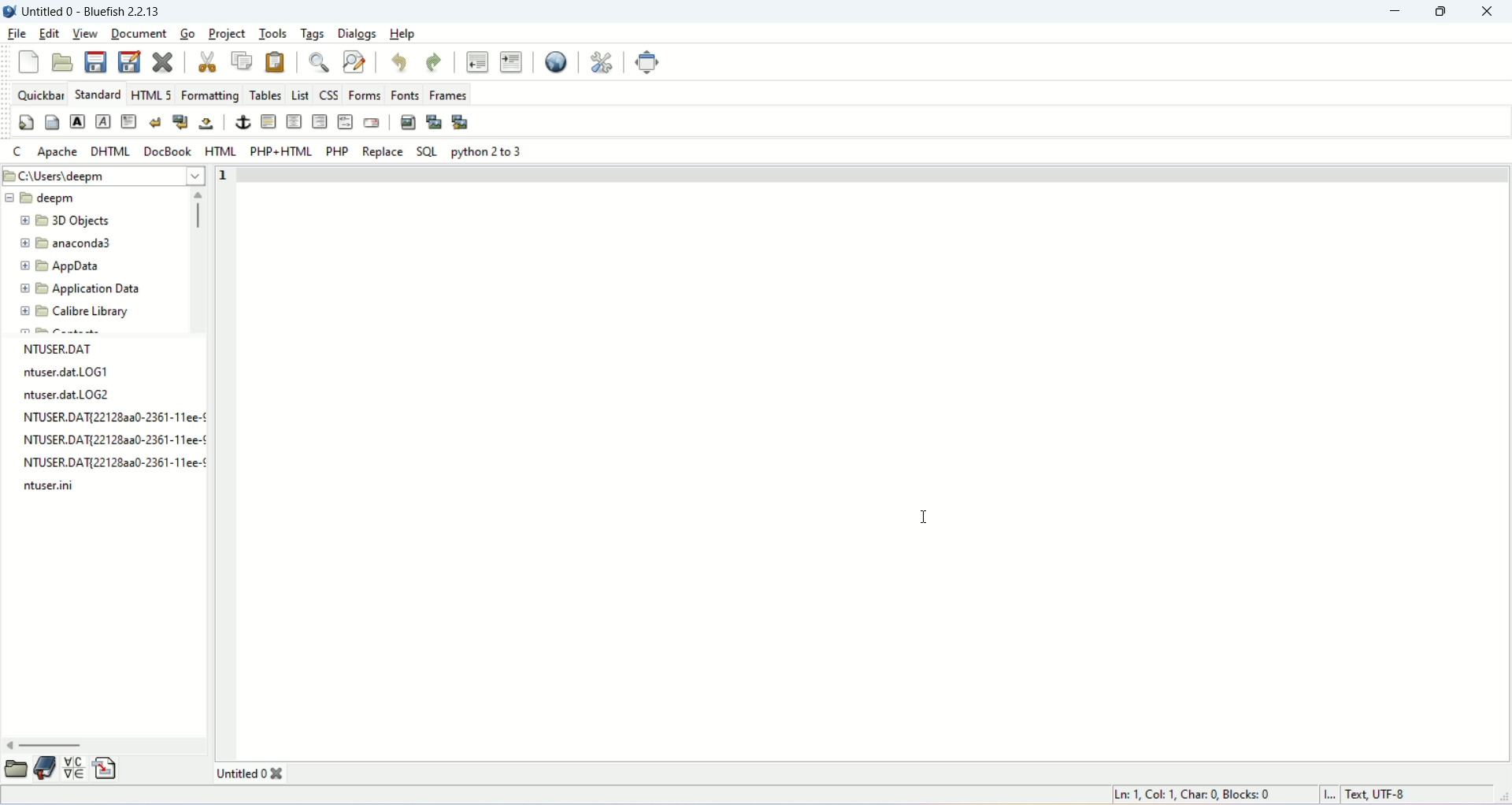 Image resolution: width=1512 pixels, height=805 pixels. What do you see at coordinates (153, 95) in the screenshot?
I see `HTML 5` at bounding box center [153, 95].